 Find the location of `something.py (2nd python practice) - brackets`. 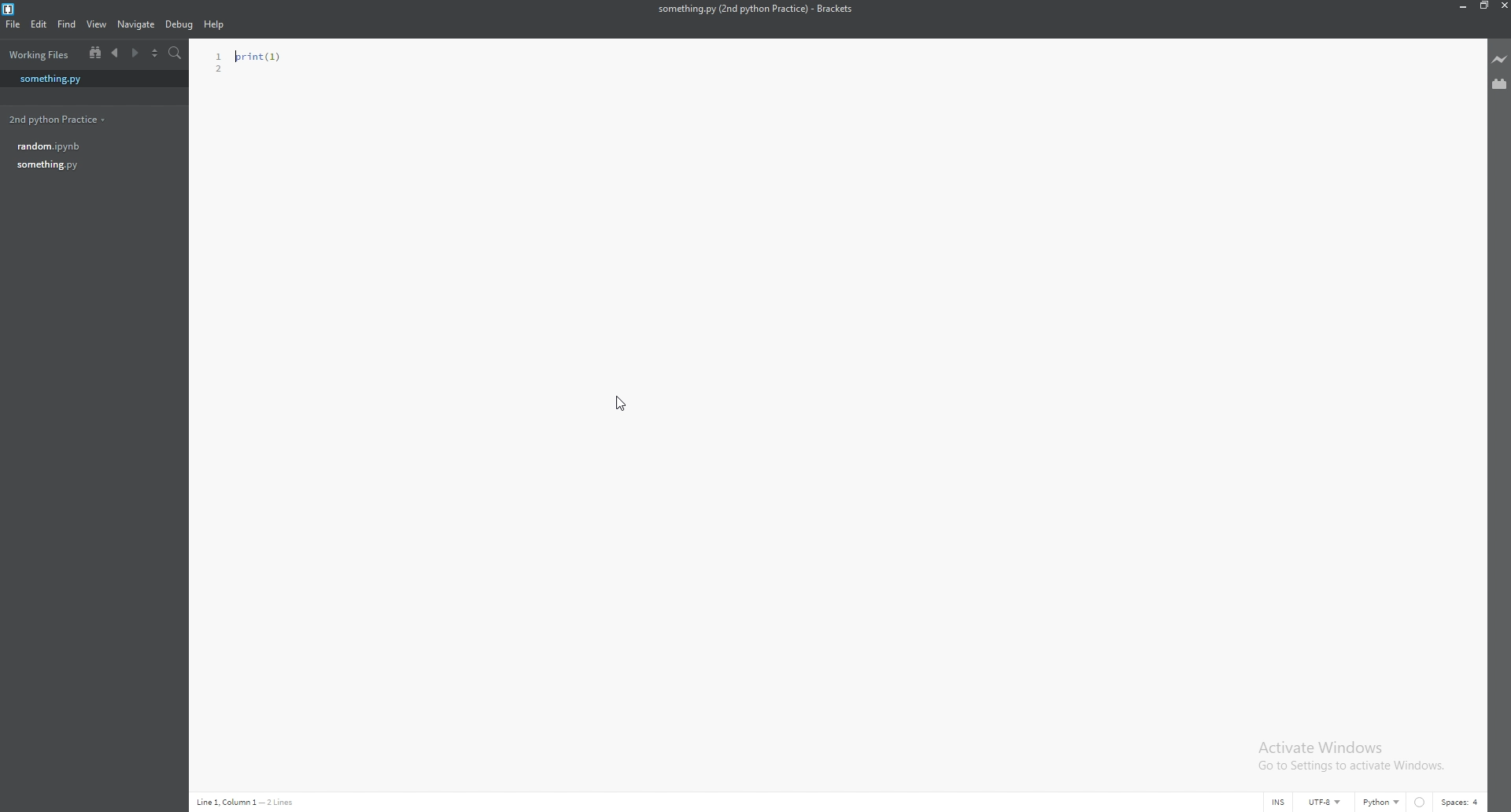

something.py (2nd python practice) - brackets is located at coordinates (755, 9).